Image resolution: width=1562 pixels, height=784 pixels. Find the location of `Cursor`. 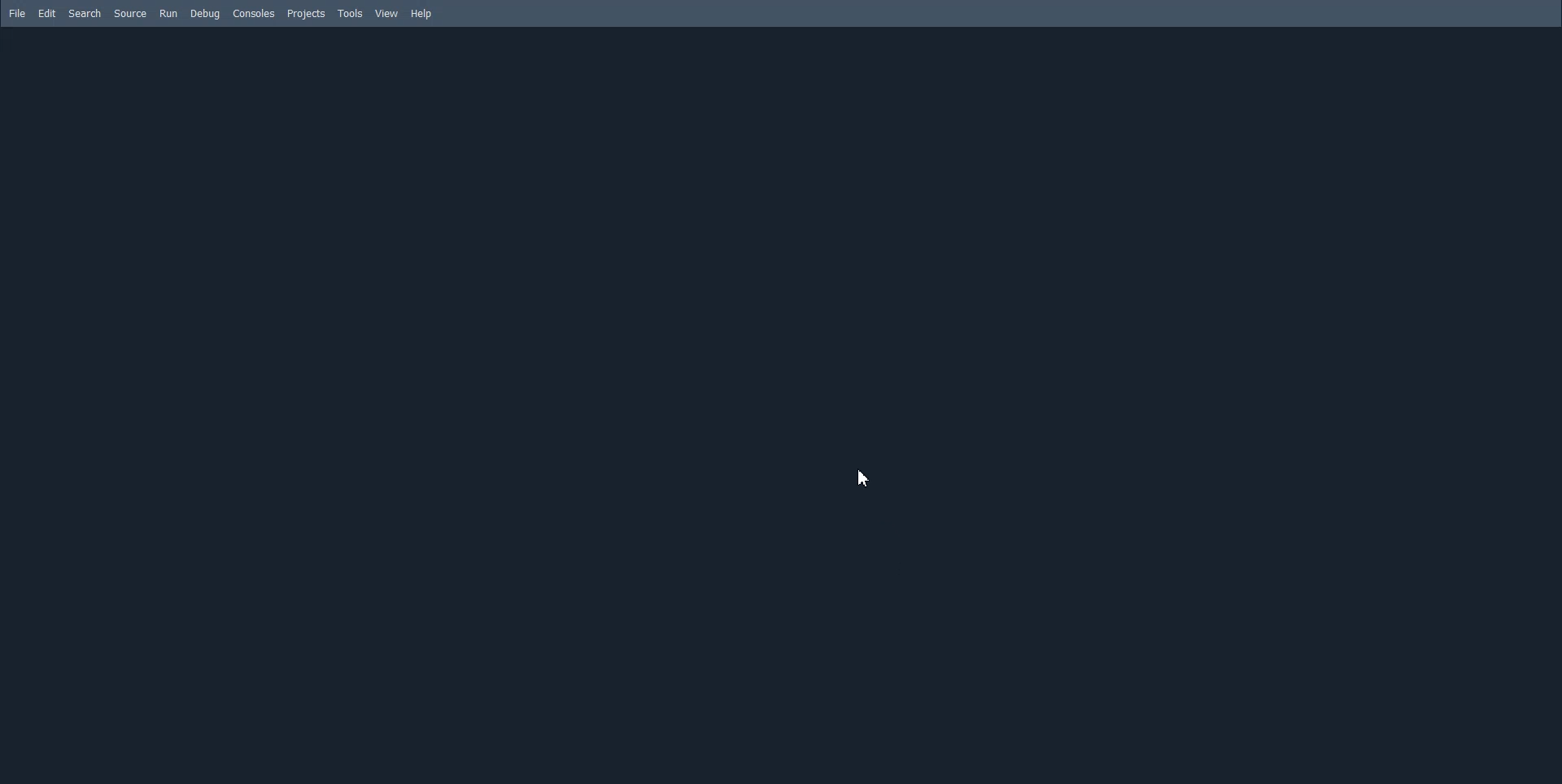

Cursor is located at coordinates (869, 477).